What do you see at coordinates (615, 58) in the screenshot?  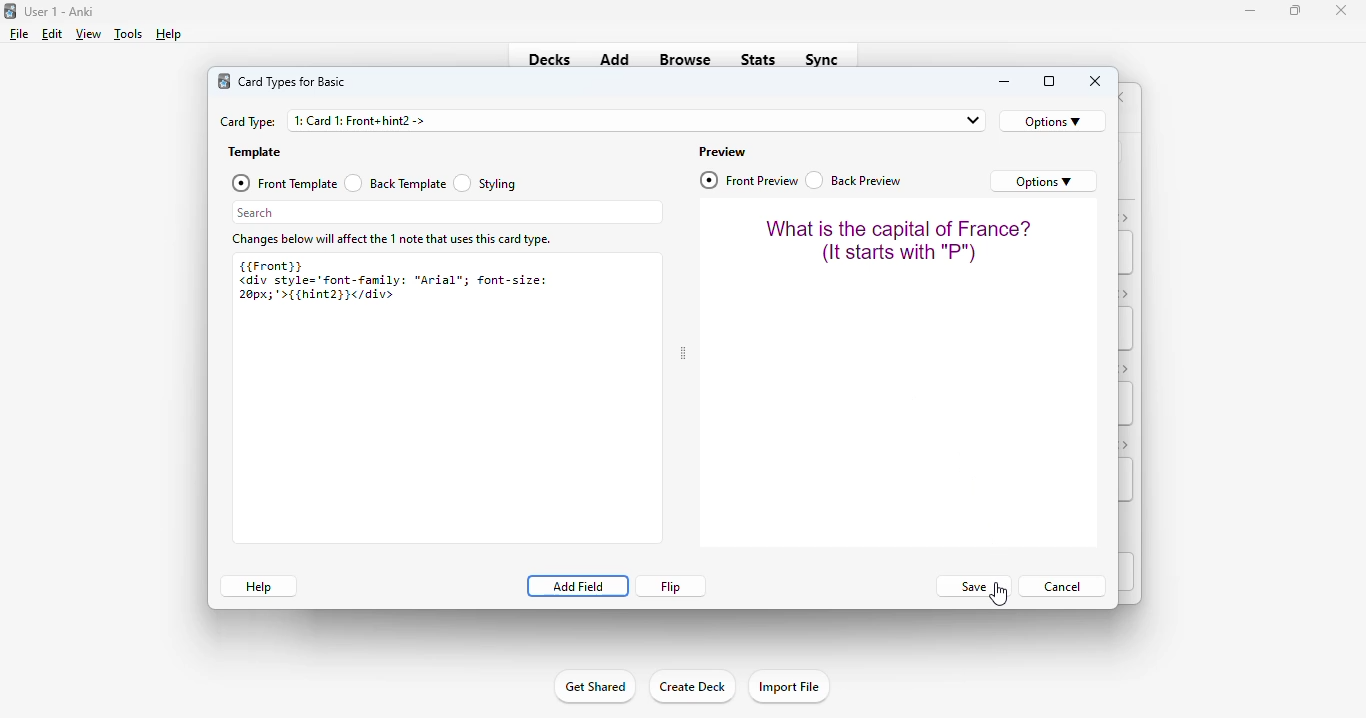 I see `add` at bounding box center [615, 58].